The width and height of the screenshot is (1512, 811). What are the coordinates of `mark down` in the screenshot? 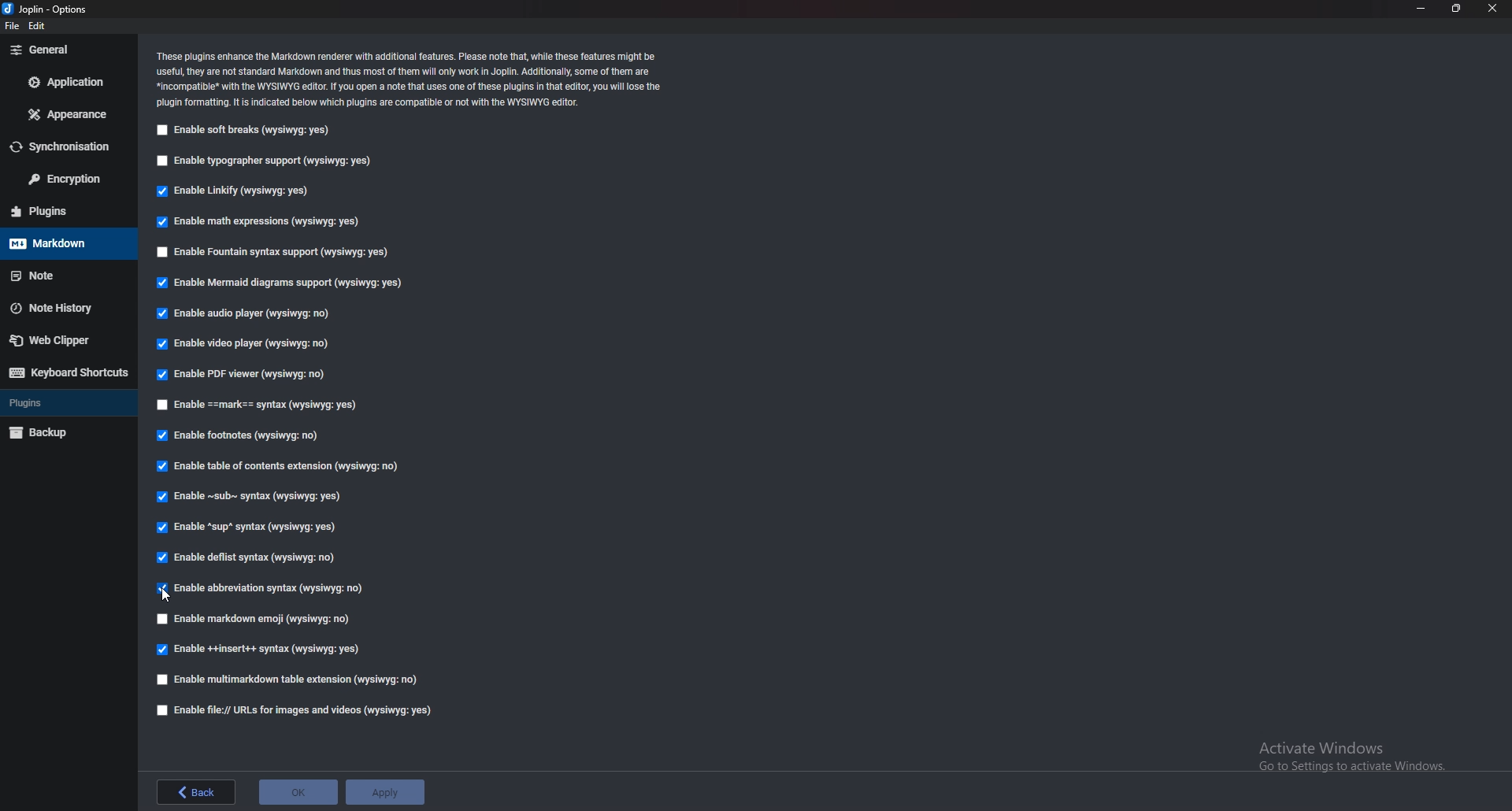 It's located at (65, 243).